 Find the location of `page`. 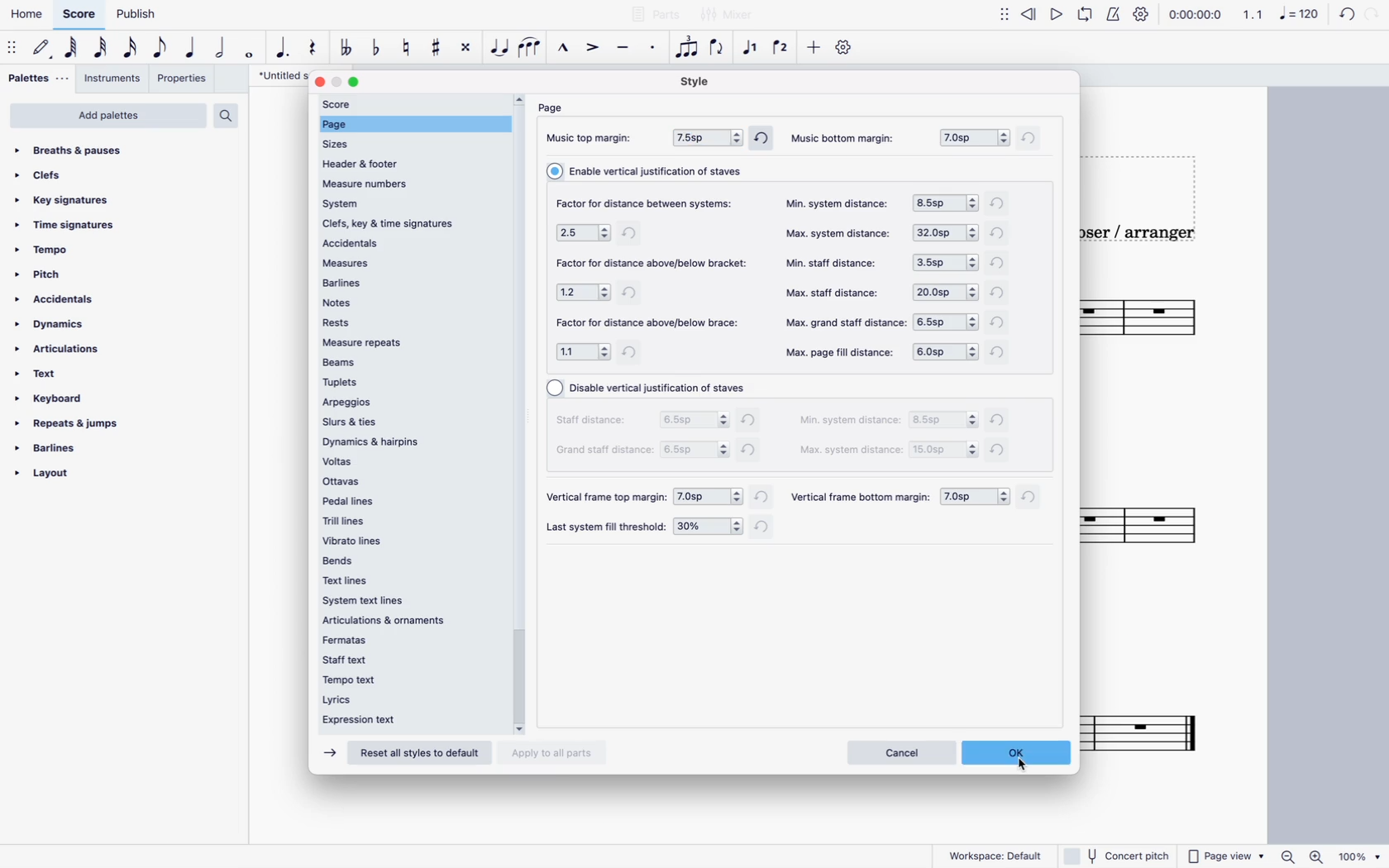

page is located at coordinates (551, 108).